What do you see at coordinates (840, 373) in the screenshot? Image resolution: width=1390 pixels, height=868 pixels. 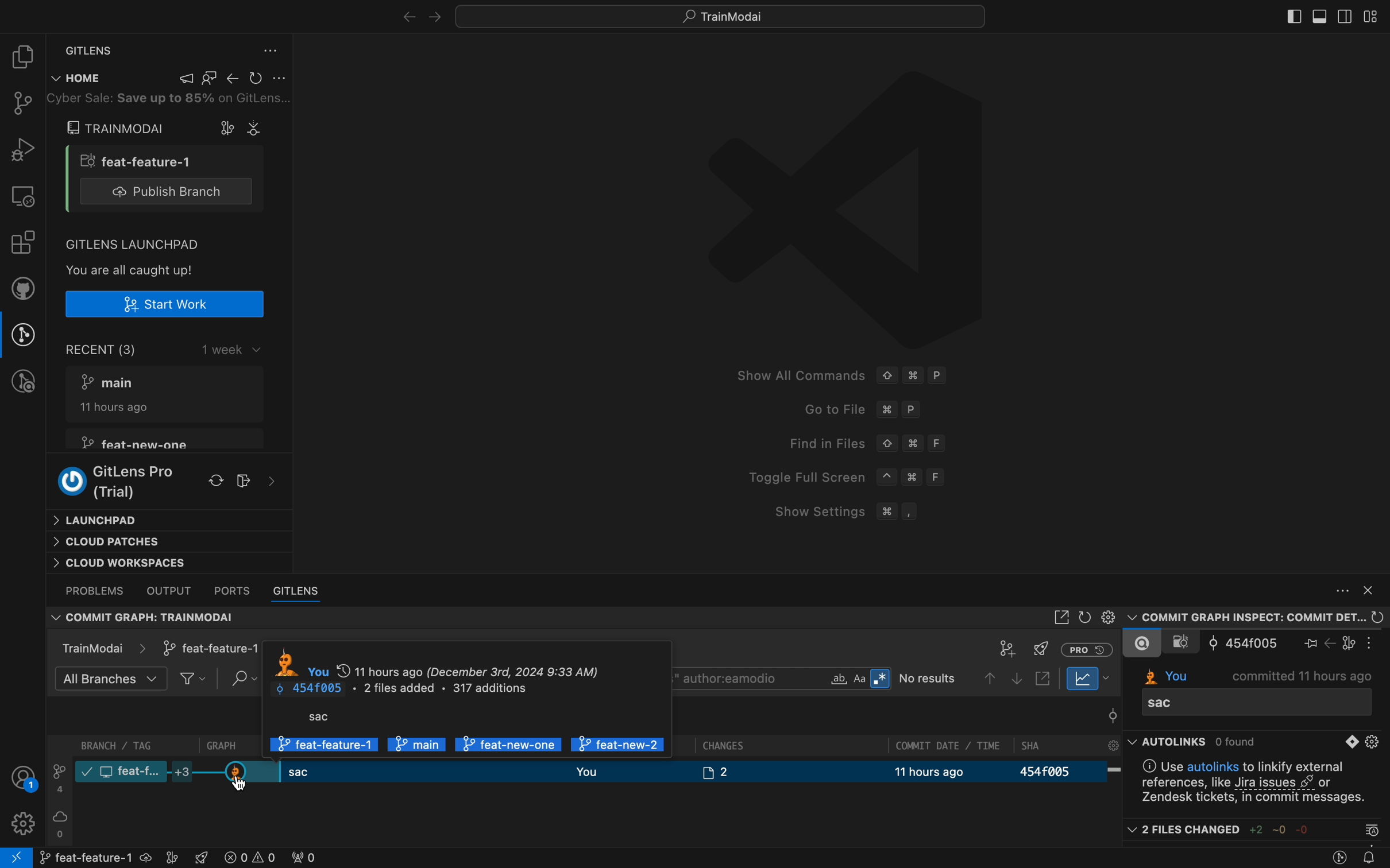 I see `Show All Commands © # P` at bounding box center [840, 373].